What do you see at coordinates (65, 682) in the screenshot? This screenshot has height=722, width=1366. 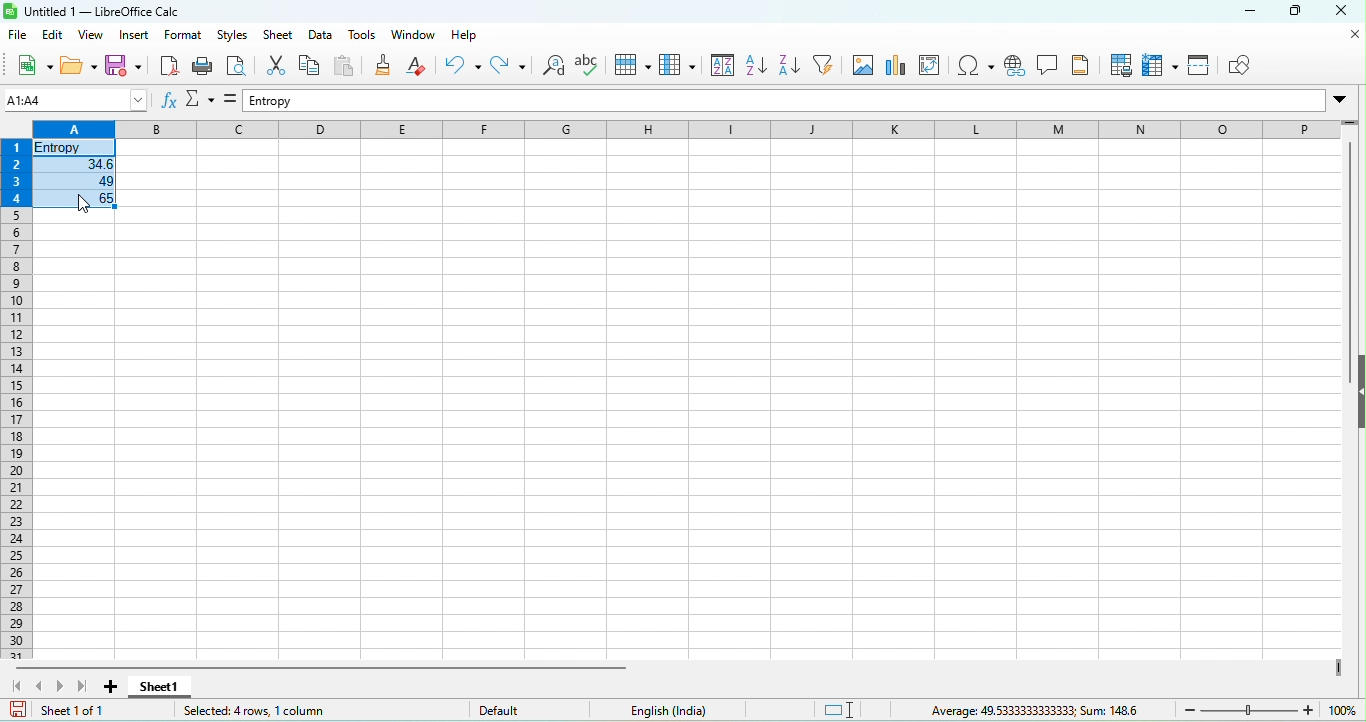 I see `scroll to next sheet` at bounding box center [65, 682].